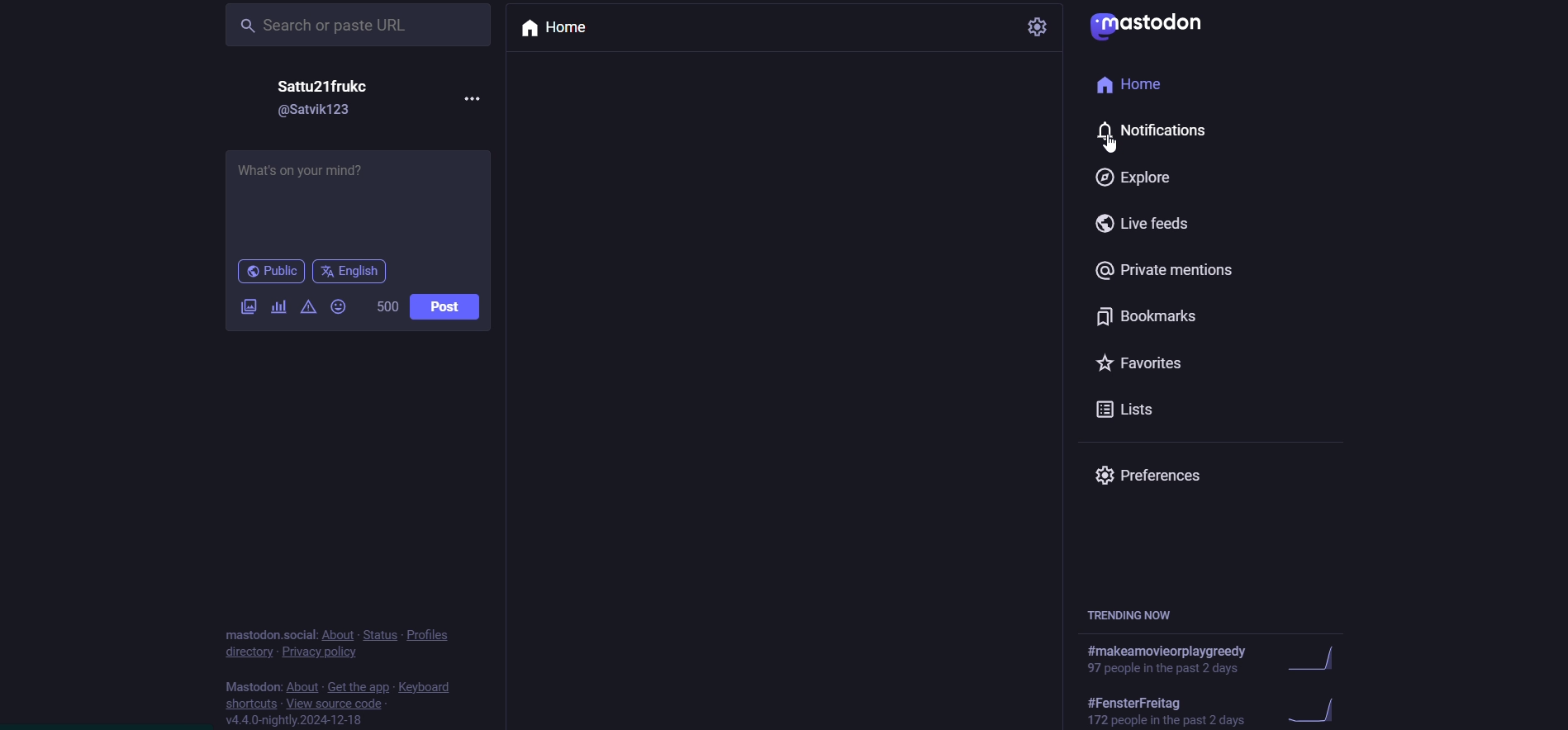 The width and height of the screenshot is (1568, 730). Describe the element at coordinates (355, 201) in the screenshot. I see `What's on your mind?` at that location.